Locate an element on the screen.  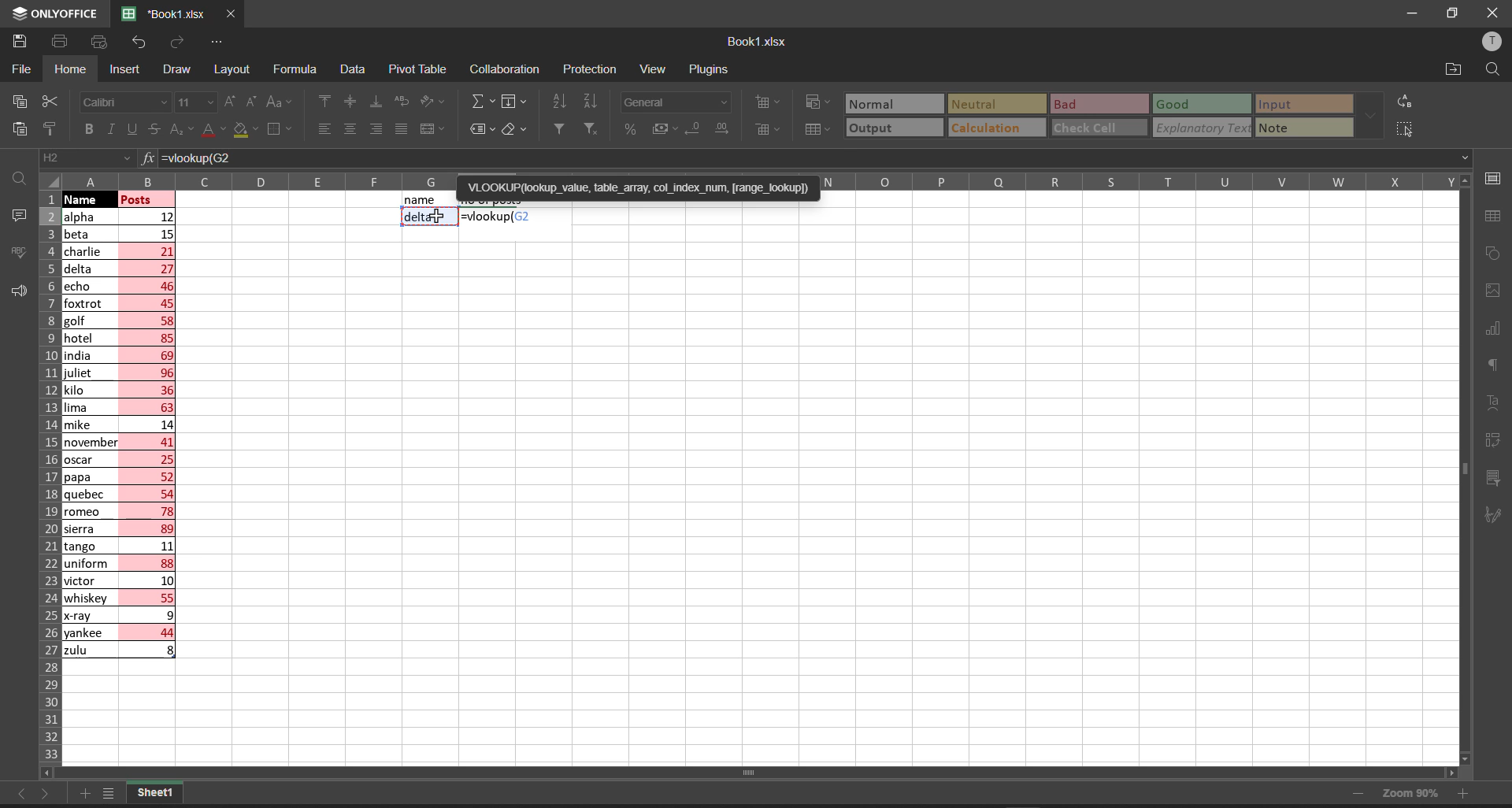
user profile is located at coordinates (1494, 41).